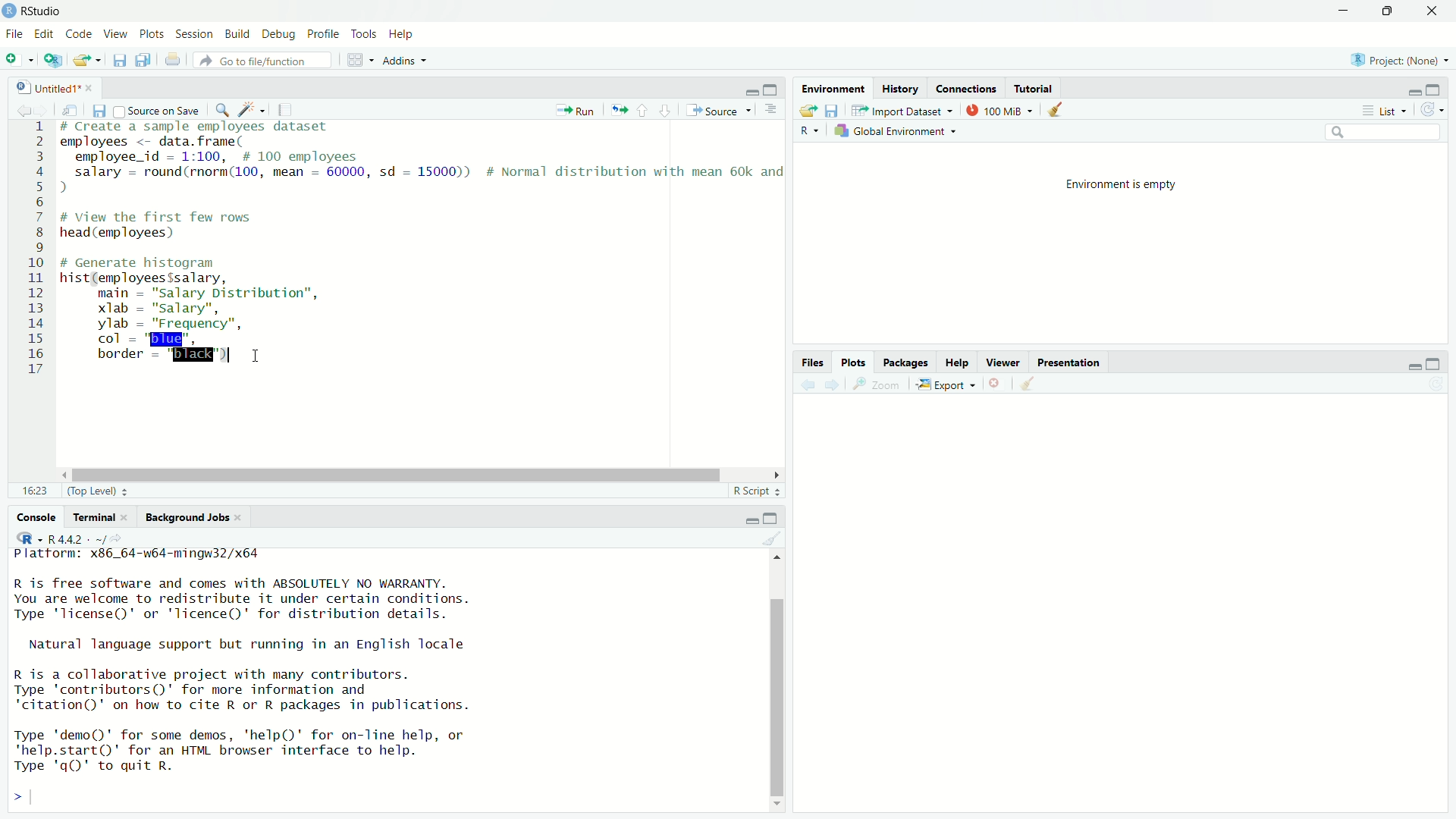 The width and height of the screenshot is (1456, 819). Describe the element at coordinates (417, 474) in the screenshot. I see `Scroll bar` at that location.